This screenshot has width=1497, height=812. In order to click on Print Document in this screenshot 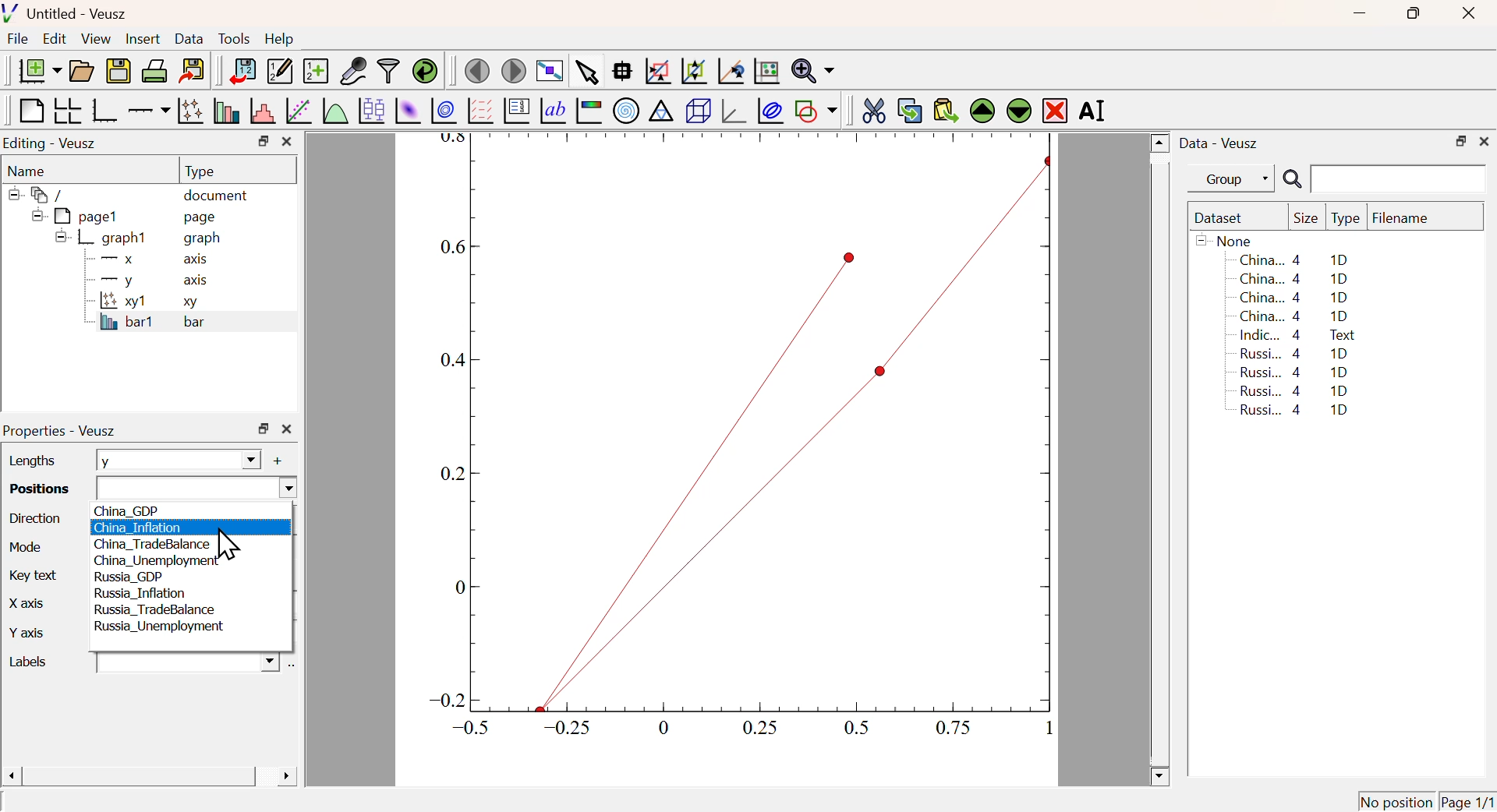, I will do `click(154, 70)`.